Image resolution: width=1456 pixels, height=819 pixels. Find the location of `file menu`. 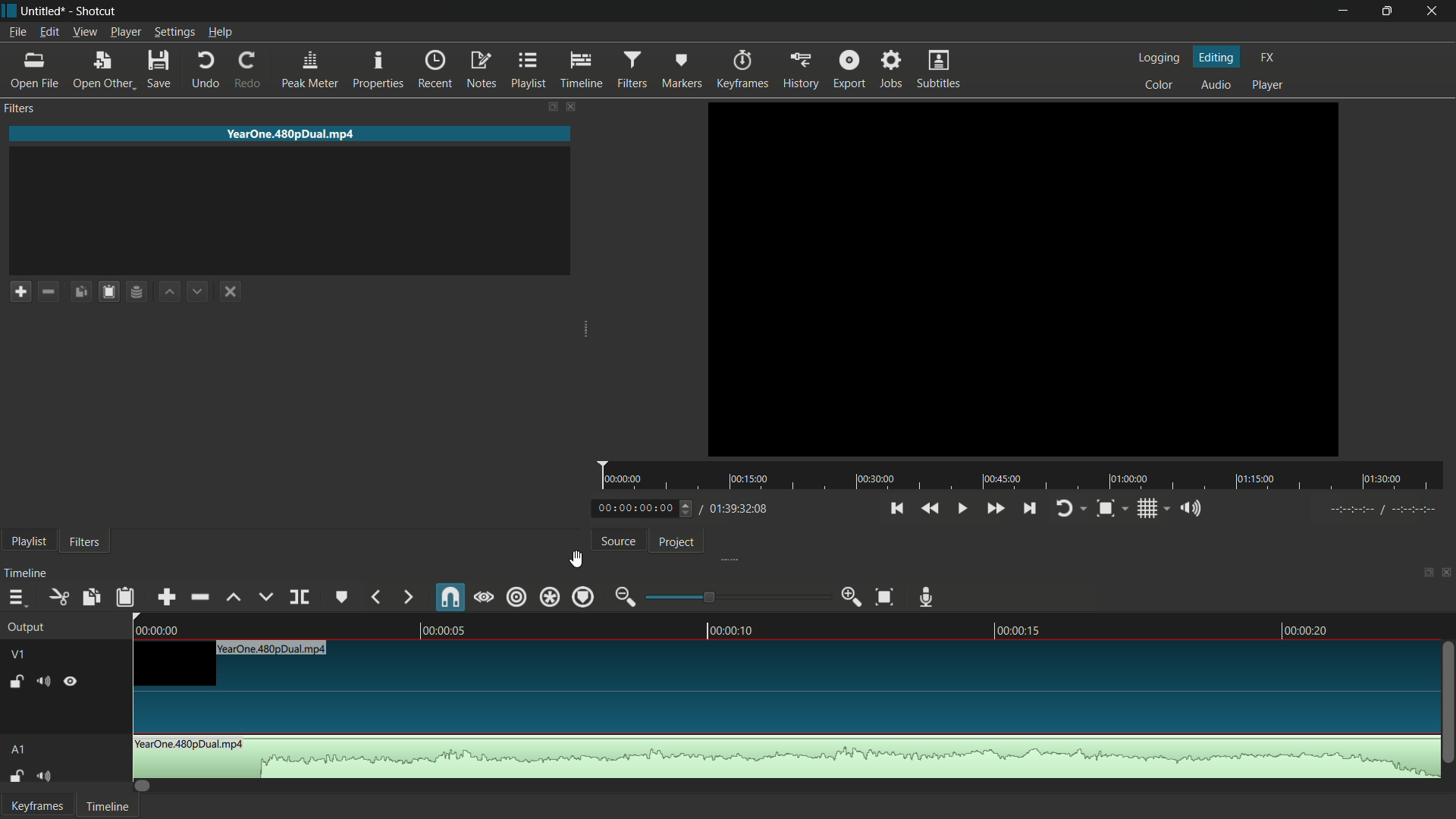

file menu is located at coordinates (16, 33).